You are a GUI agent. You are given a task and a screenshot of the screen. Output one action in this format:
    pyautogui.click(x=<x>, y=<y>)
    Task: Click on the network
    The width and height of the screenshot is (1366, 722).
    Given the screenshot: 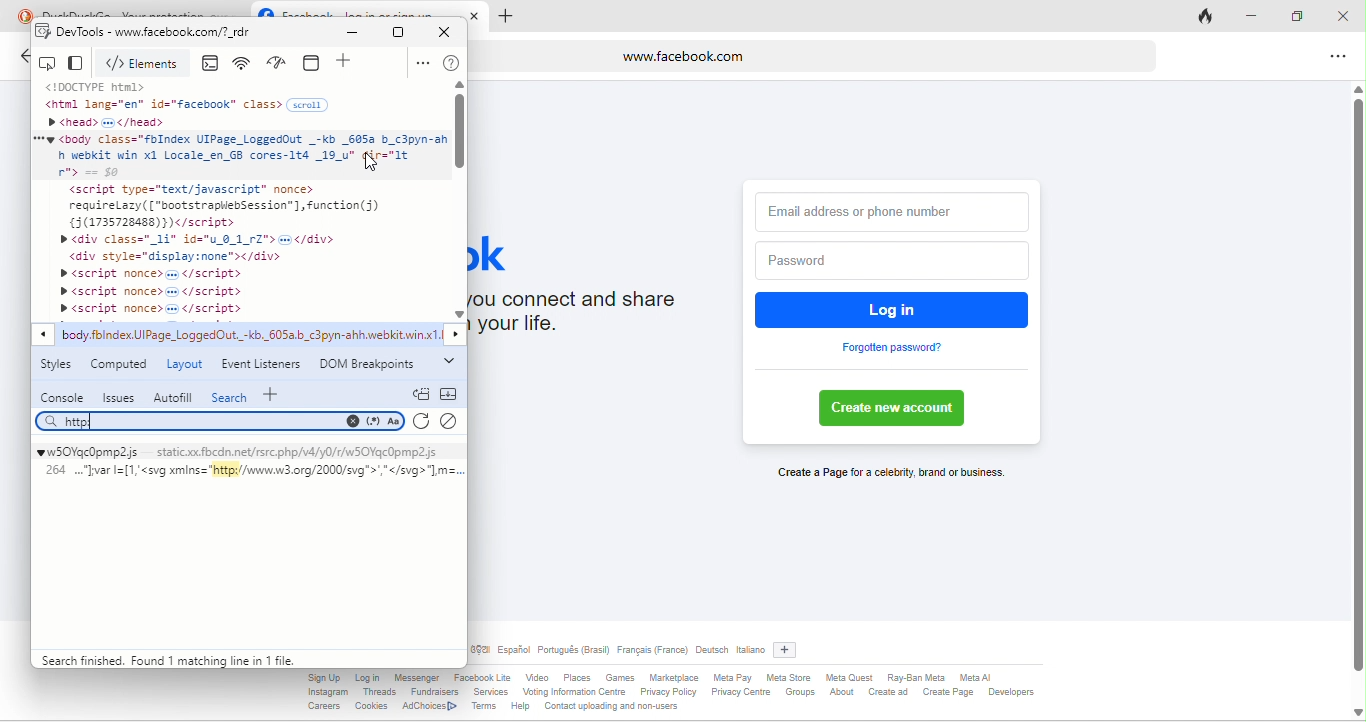 What is the action you would take?
    pyautogui.click(x=245, y=64)
    